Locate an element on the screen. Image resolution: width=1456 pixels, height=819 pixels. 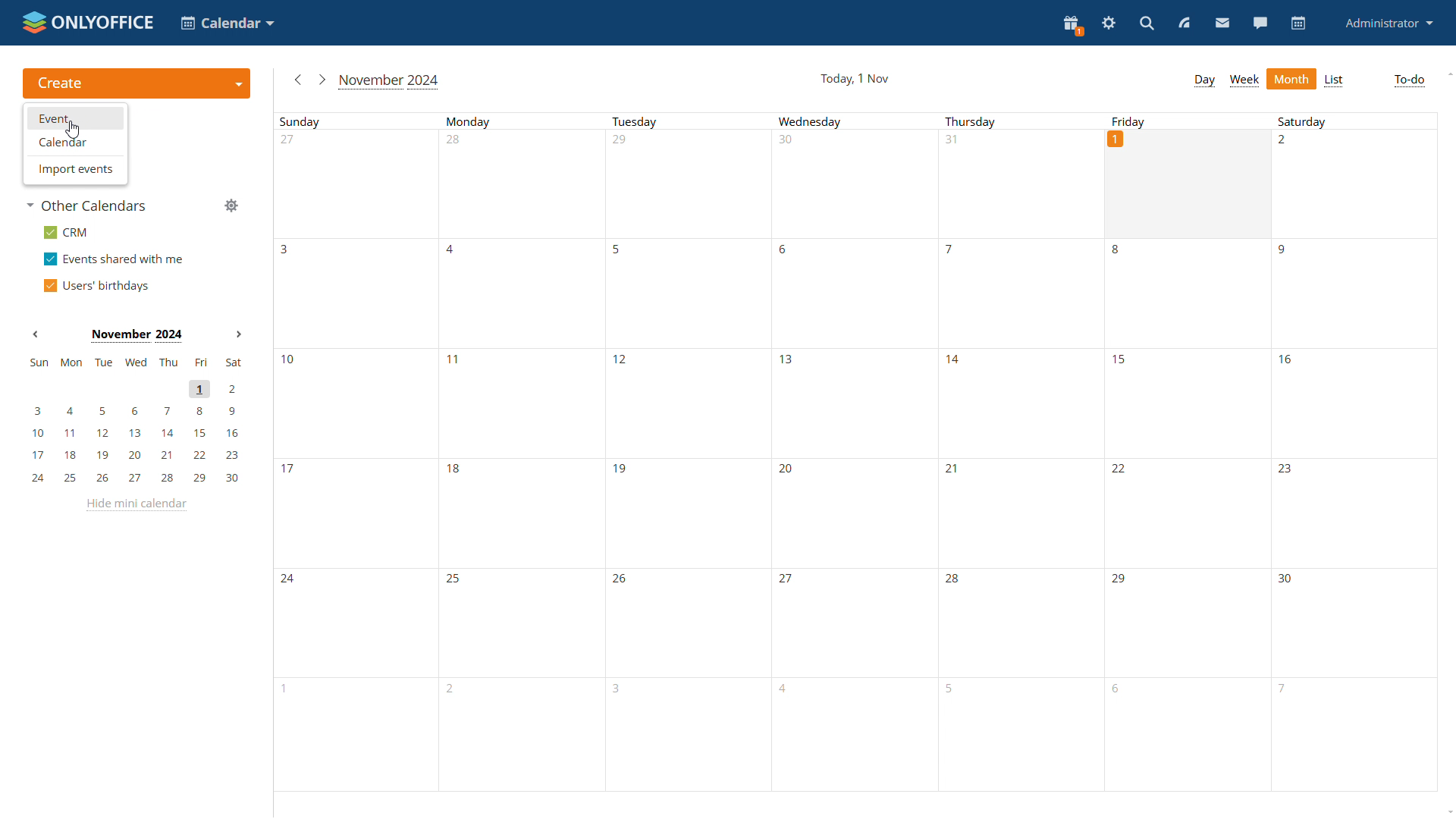
current date is located at coordinates (855, 78).